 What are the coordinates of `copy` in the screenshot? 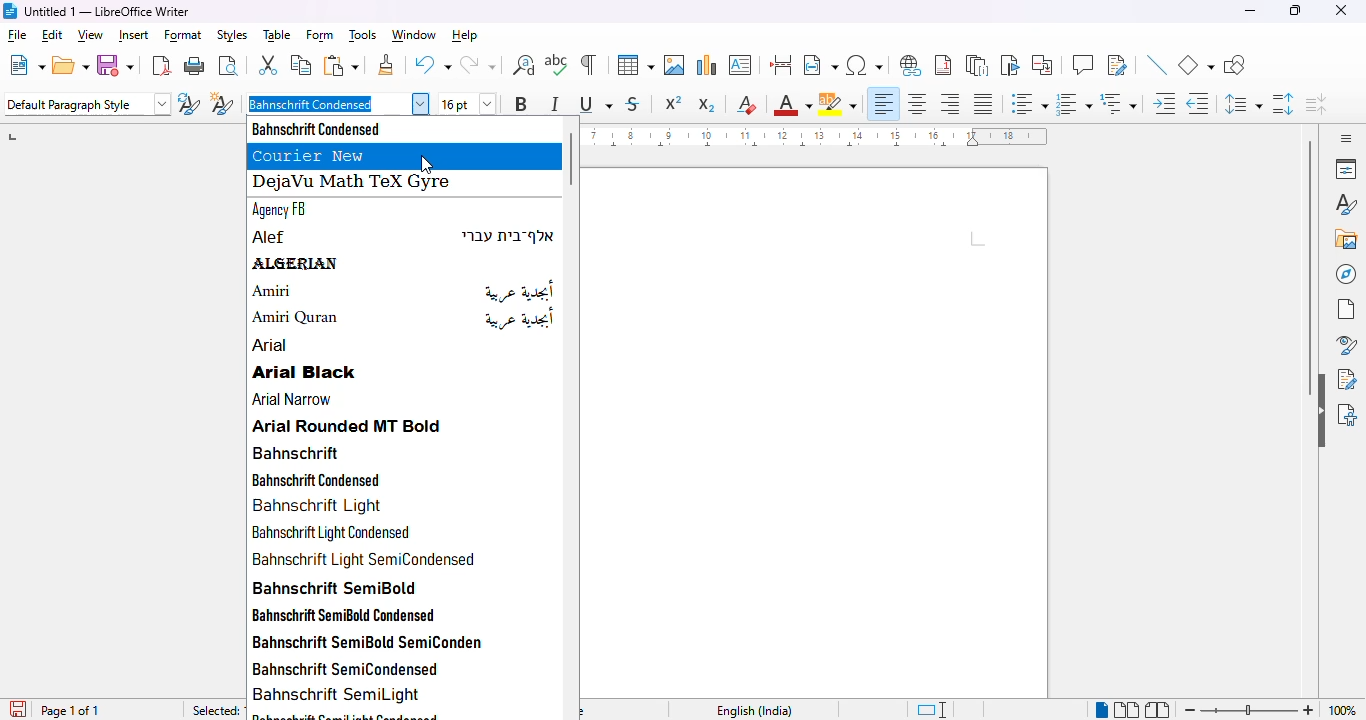 It's located at (300, 64).